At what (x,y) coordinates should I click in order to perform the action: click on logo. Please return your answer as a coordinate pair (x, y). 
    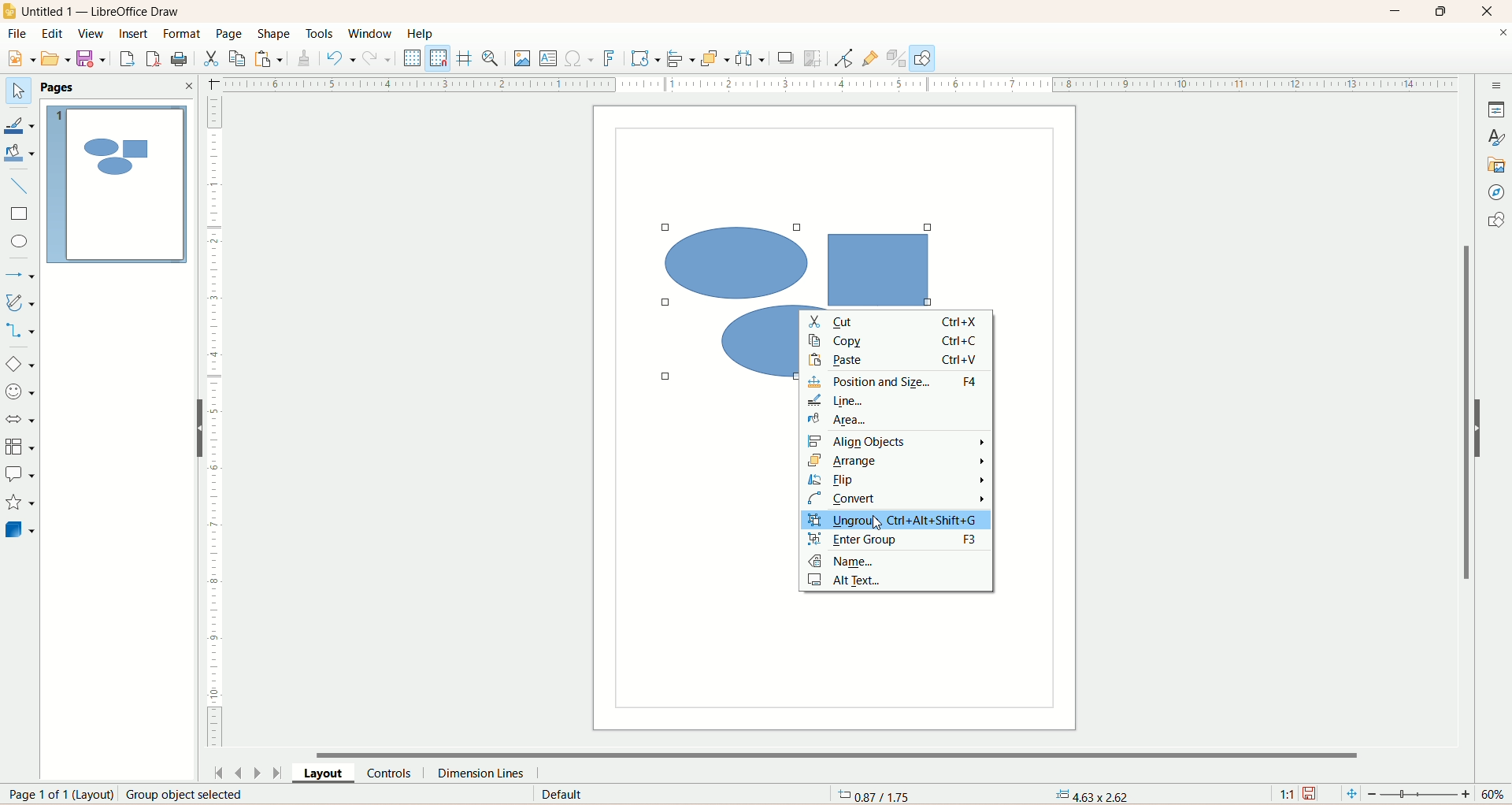
    Looking at the image, I should click on (9, 11).